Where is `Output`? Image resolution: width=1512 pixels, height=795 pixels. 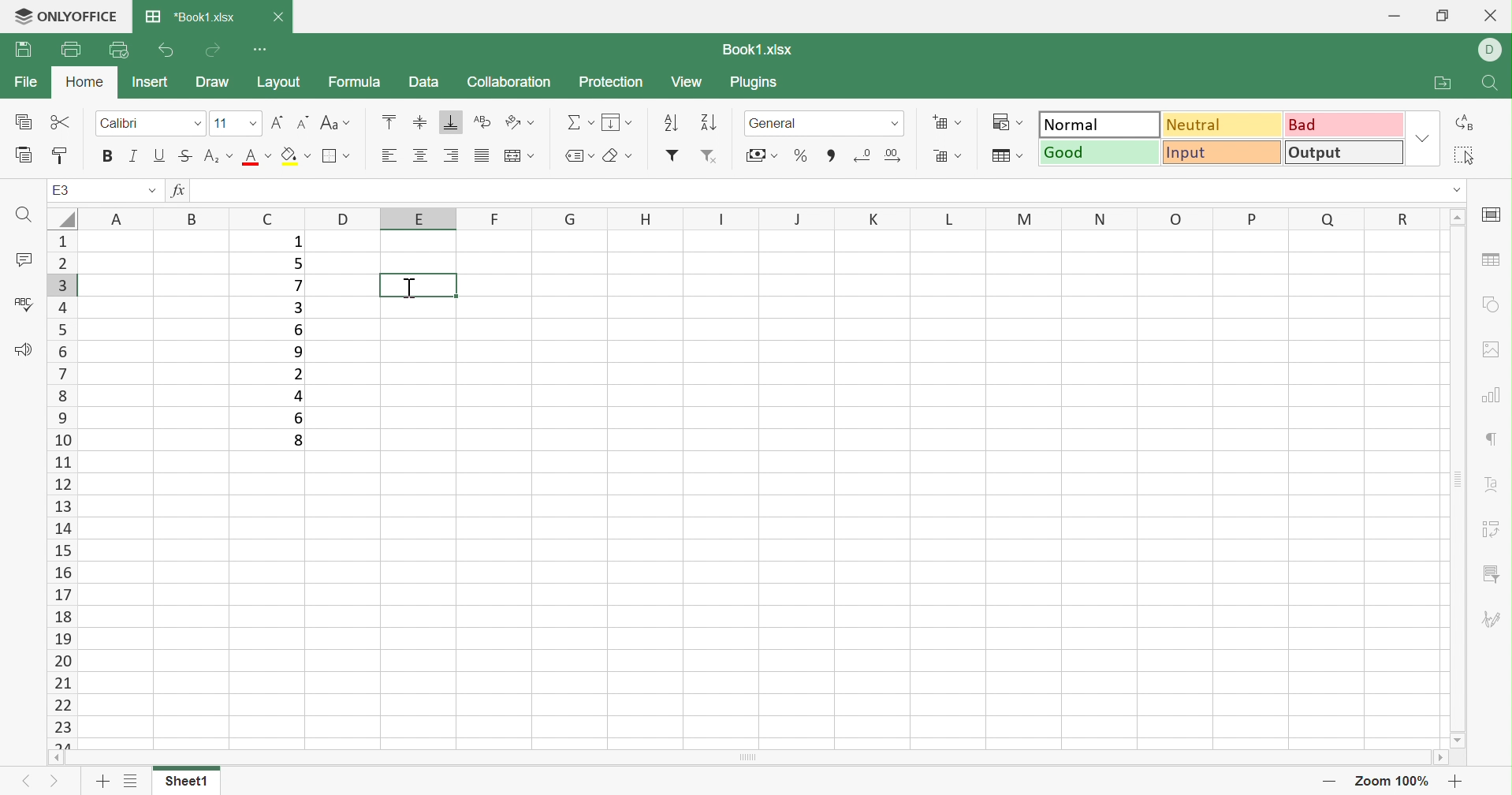 Output is located at coordinates (1345, 151).